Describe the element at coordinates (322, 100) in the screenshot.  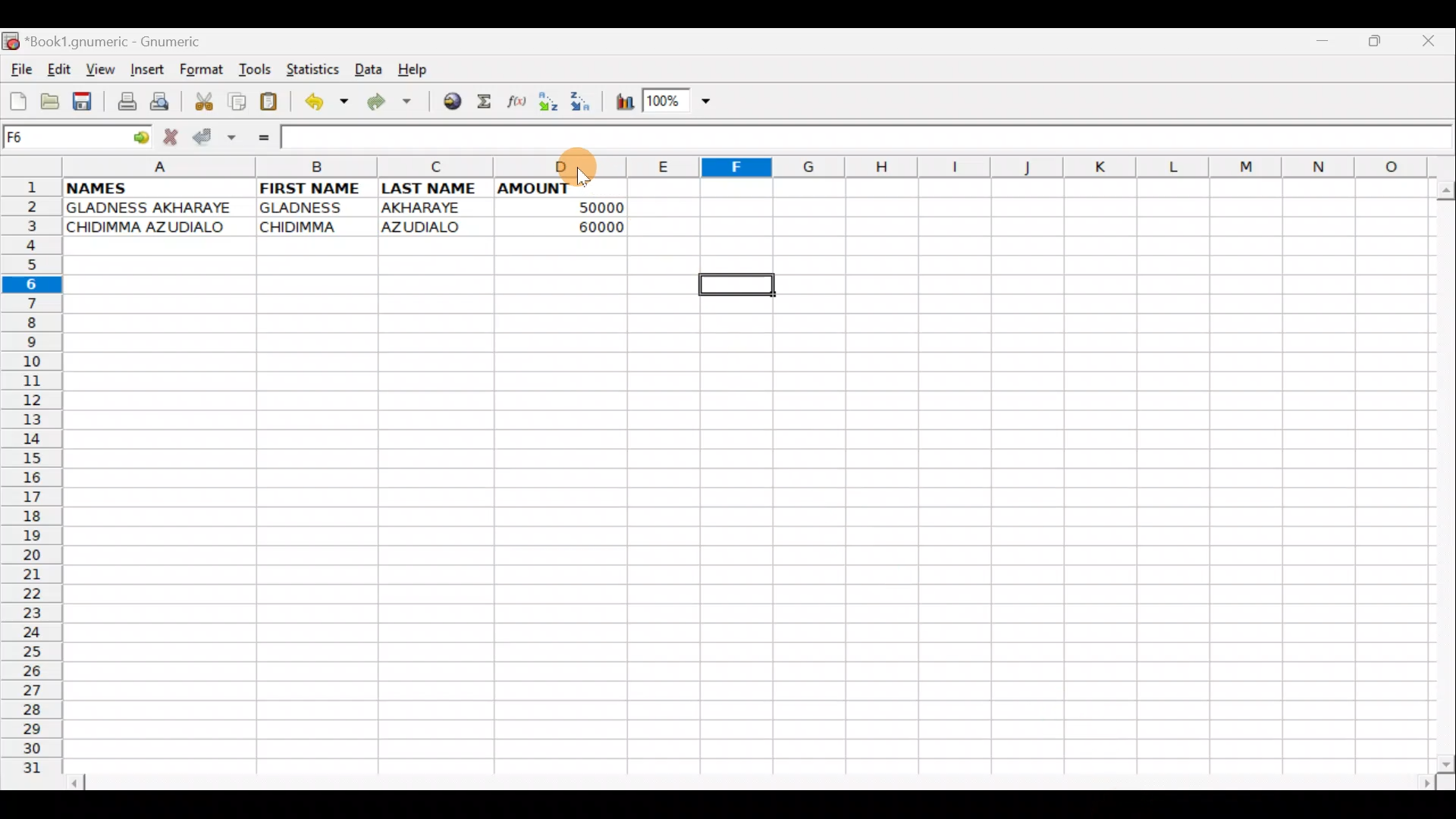
I see `Undo last action` at that location.